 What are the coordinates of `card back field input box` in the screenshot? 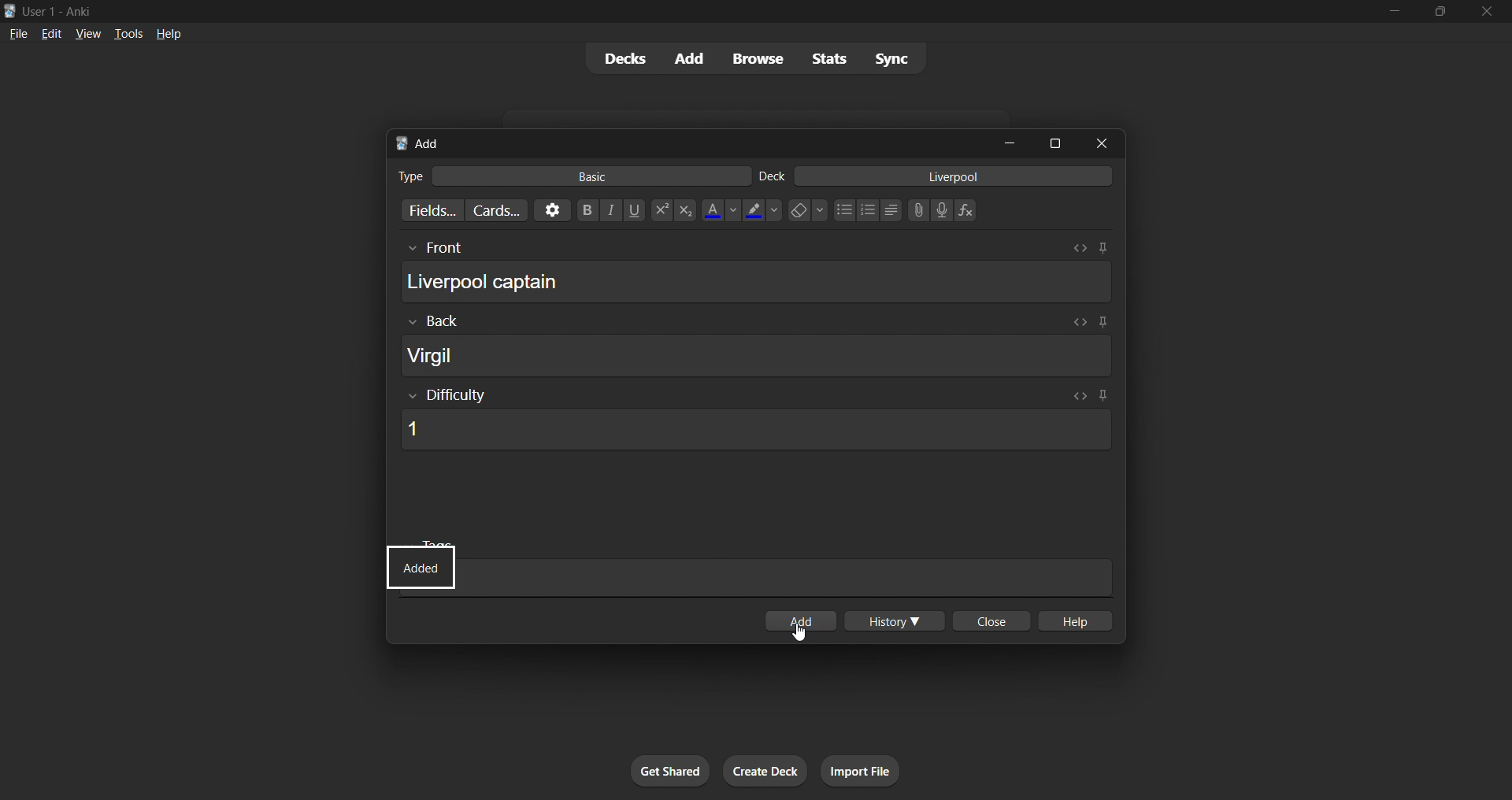 It's located at (757, 355).